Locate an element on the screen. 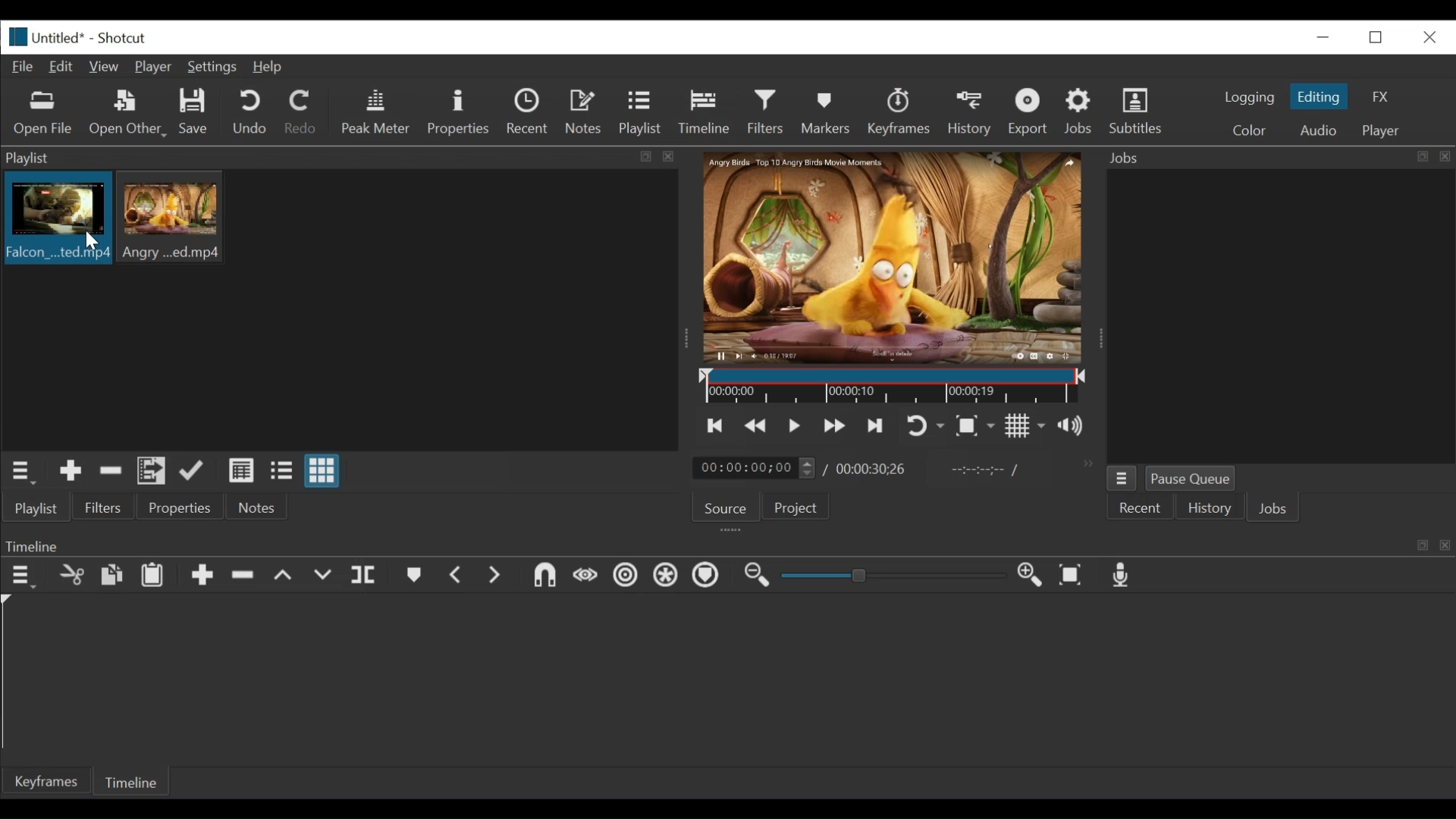 Image resolution: width=1456 pixels, height=819 pixels. Shotcut logo is located at coordinates (14, 35).